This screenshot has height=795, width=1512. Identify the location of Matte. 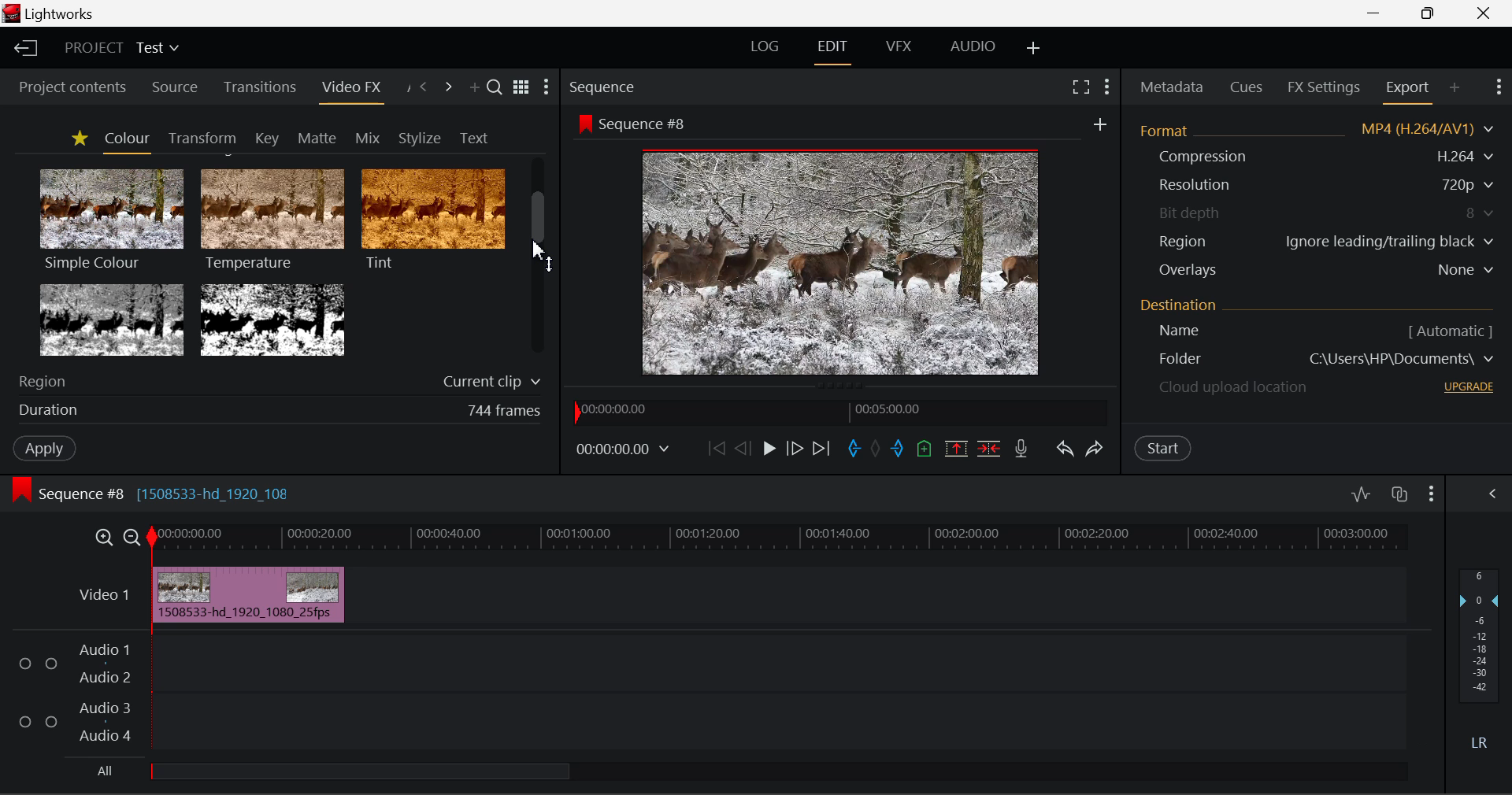
(317, 138).